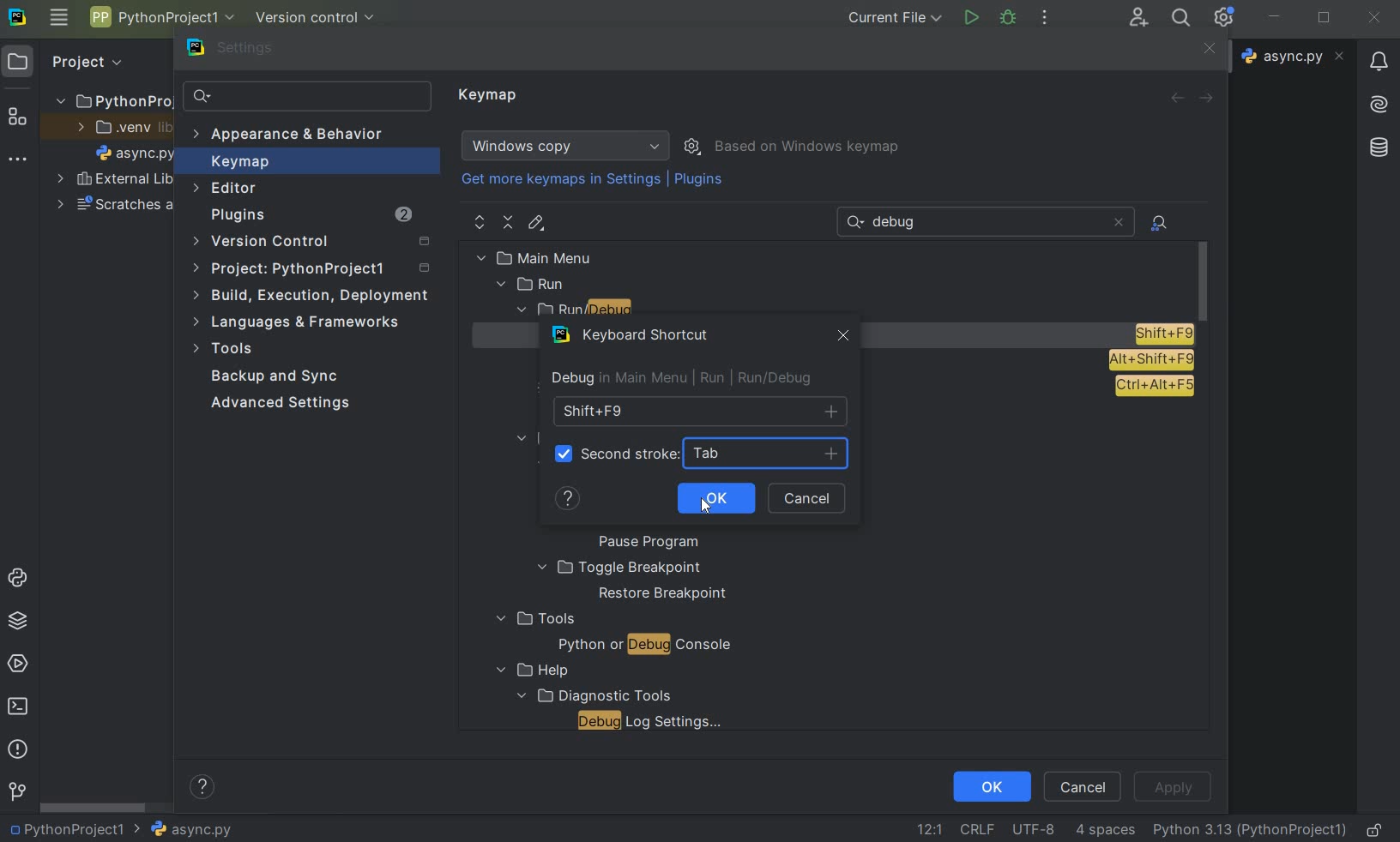 This screenshot has height=842, width=1400. Describe the element at coordinates (1275, 16) in the screenshot. I see `minimize` at that location.